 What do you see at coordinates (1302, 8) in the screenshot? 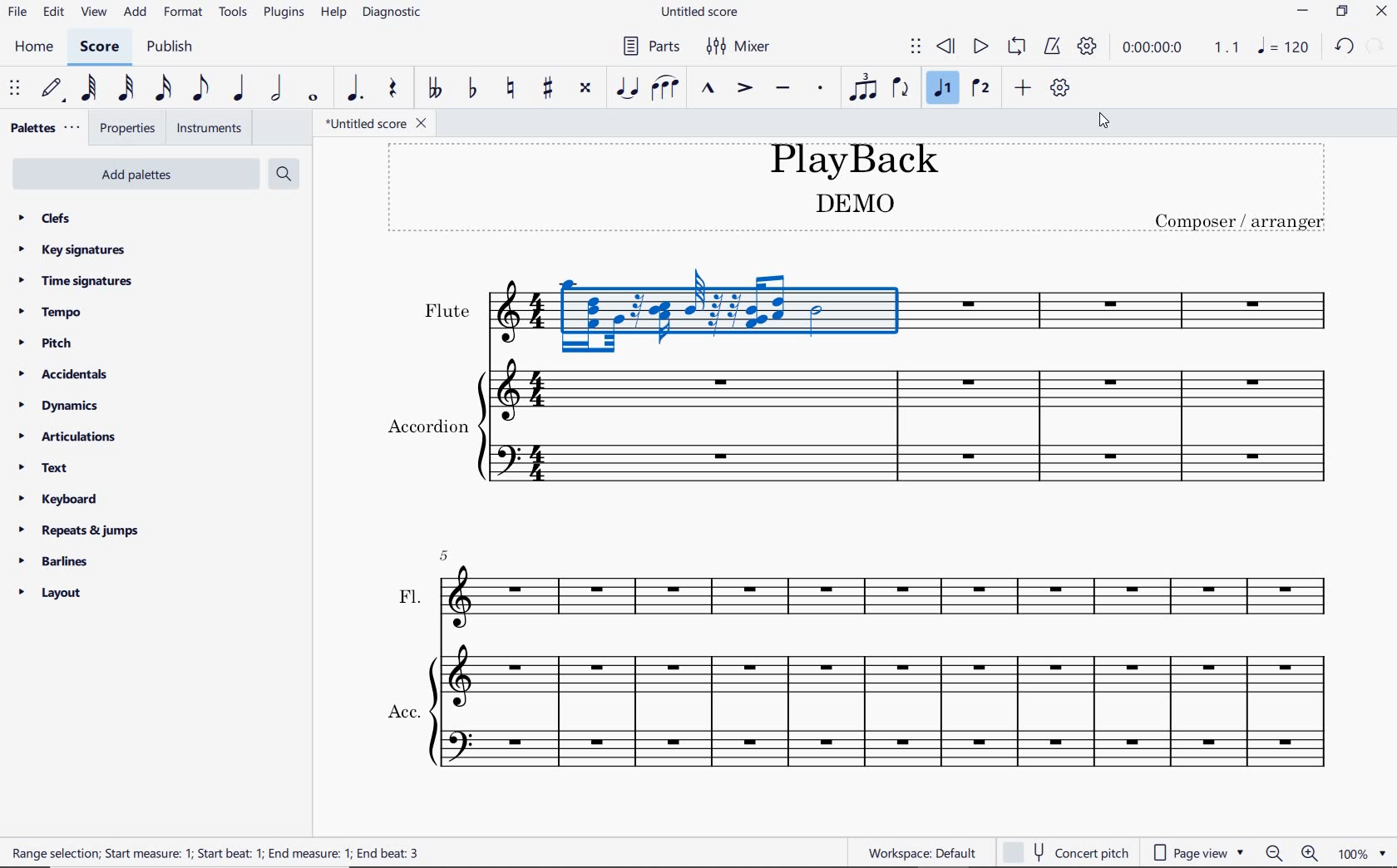
I see `minimize` at bounding box center [1302, 8].